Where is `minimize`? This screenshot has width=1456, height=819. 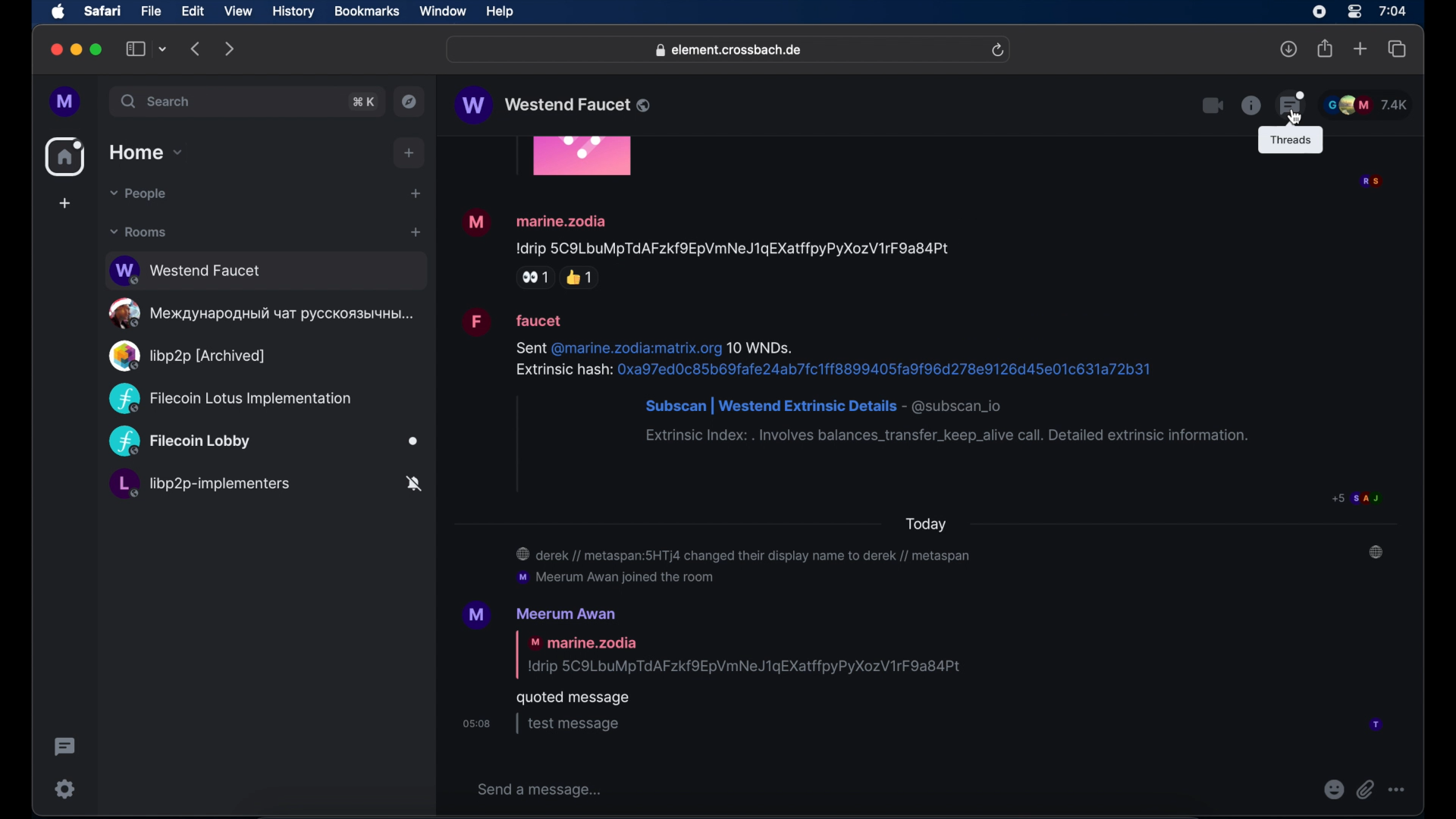 minimize is located at coordinates (74, 50).